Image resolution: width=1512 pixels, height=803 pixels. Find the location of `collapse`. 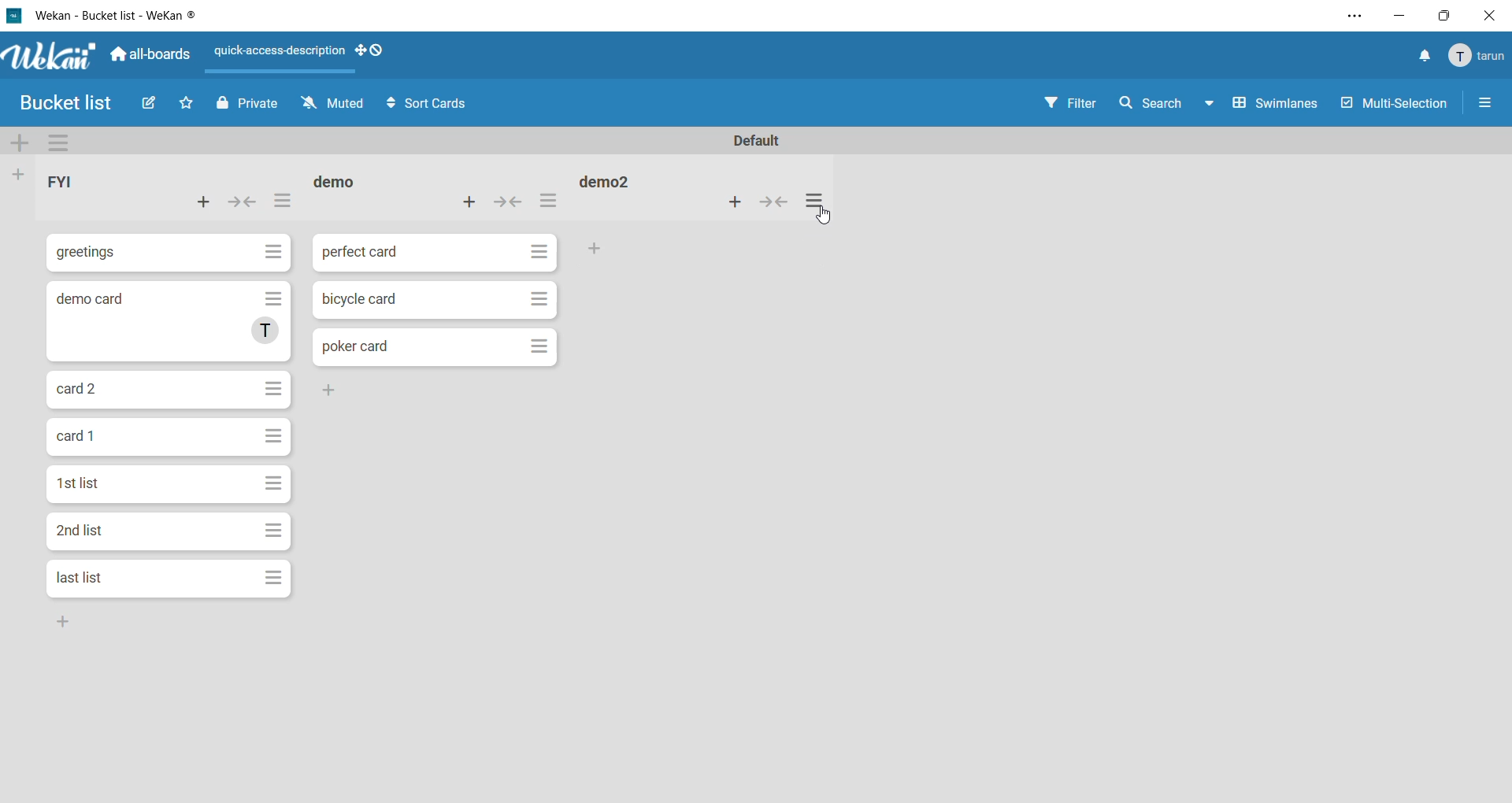

collapse is located at coordinates (243, 202).